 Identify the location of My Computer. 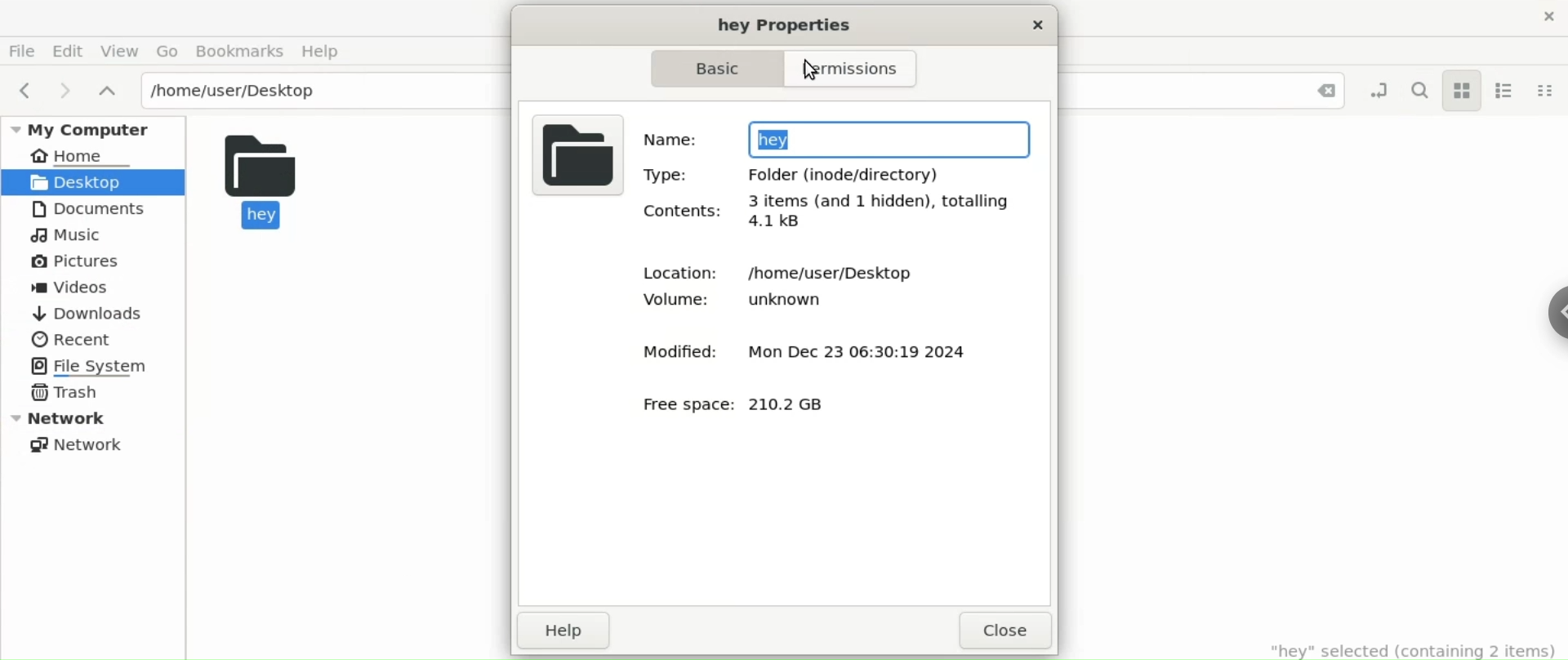
(91, 127).